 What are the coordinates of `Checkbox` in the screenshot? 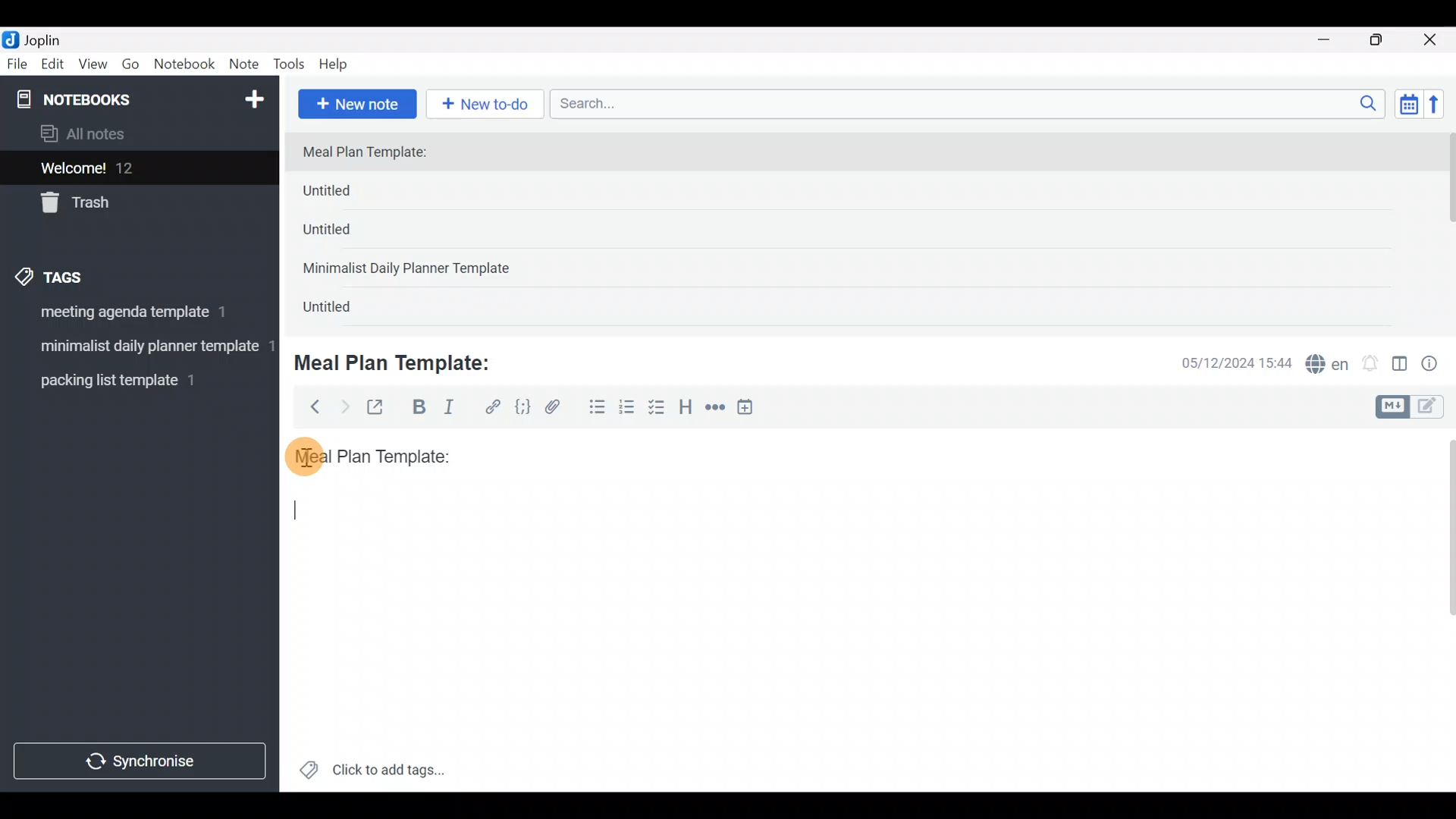 It's located at (658, 409).